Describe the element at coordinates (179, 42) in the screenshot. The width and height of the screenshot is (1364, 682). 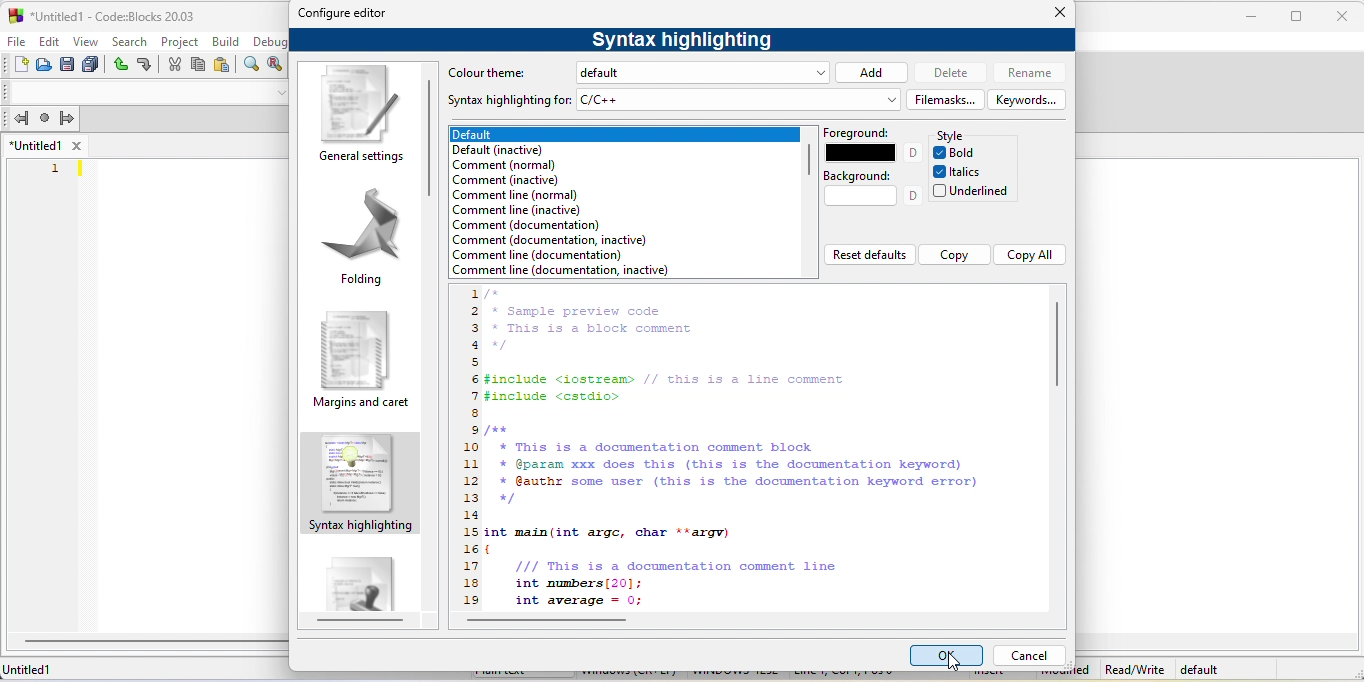
I see `project` at that location.